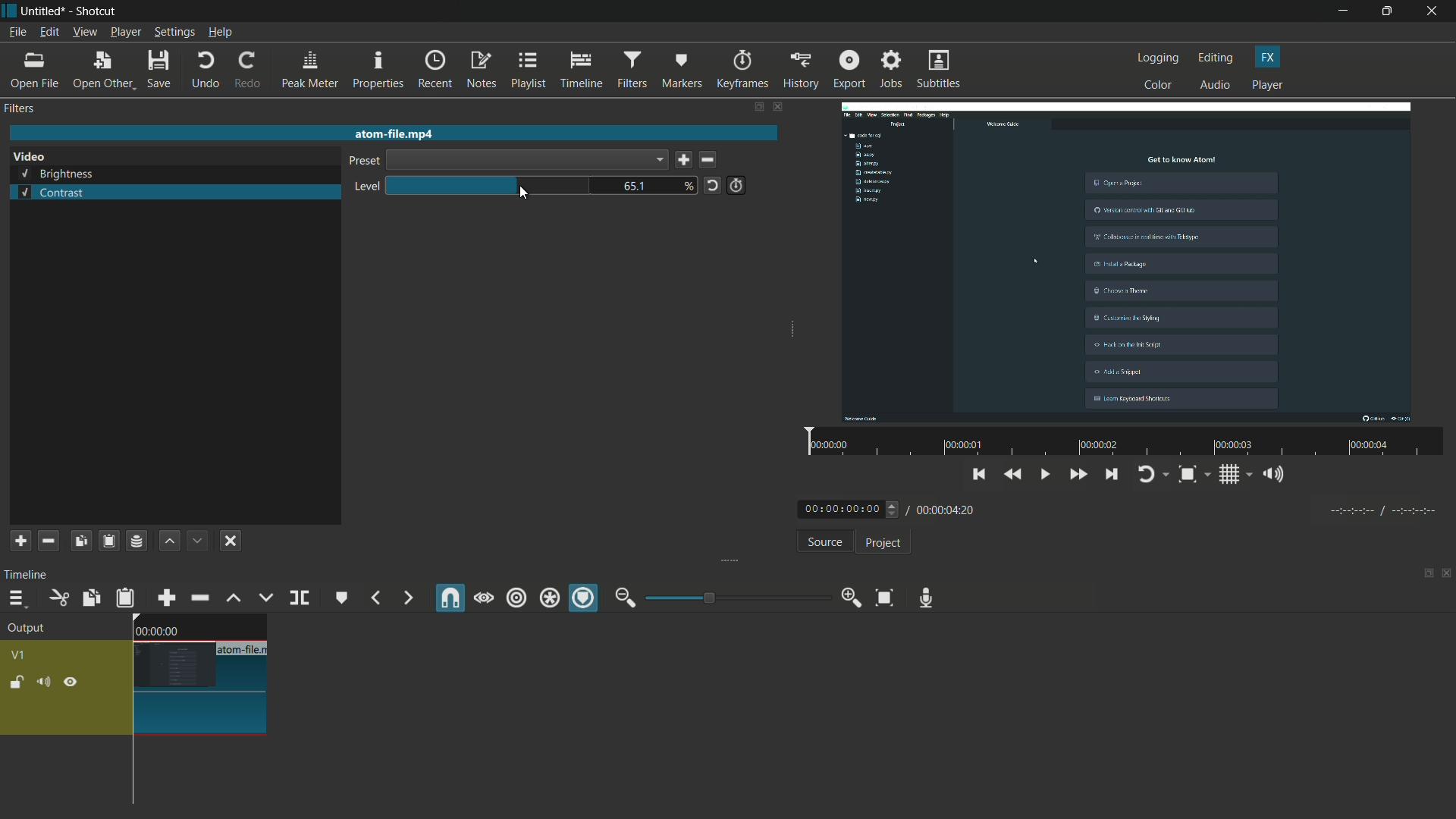  I want to click on use keyframes for this parameter, so click(736, 185).